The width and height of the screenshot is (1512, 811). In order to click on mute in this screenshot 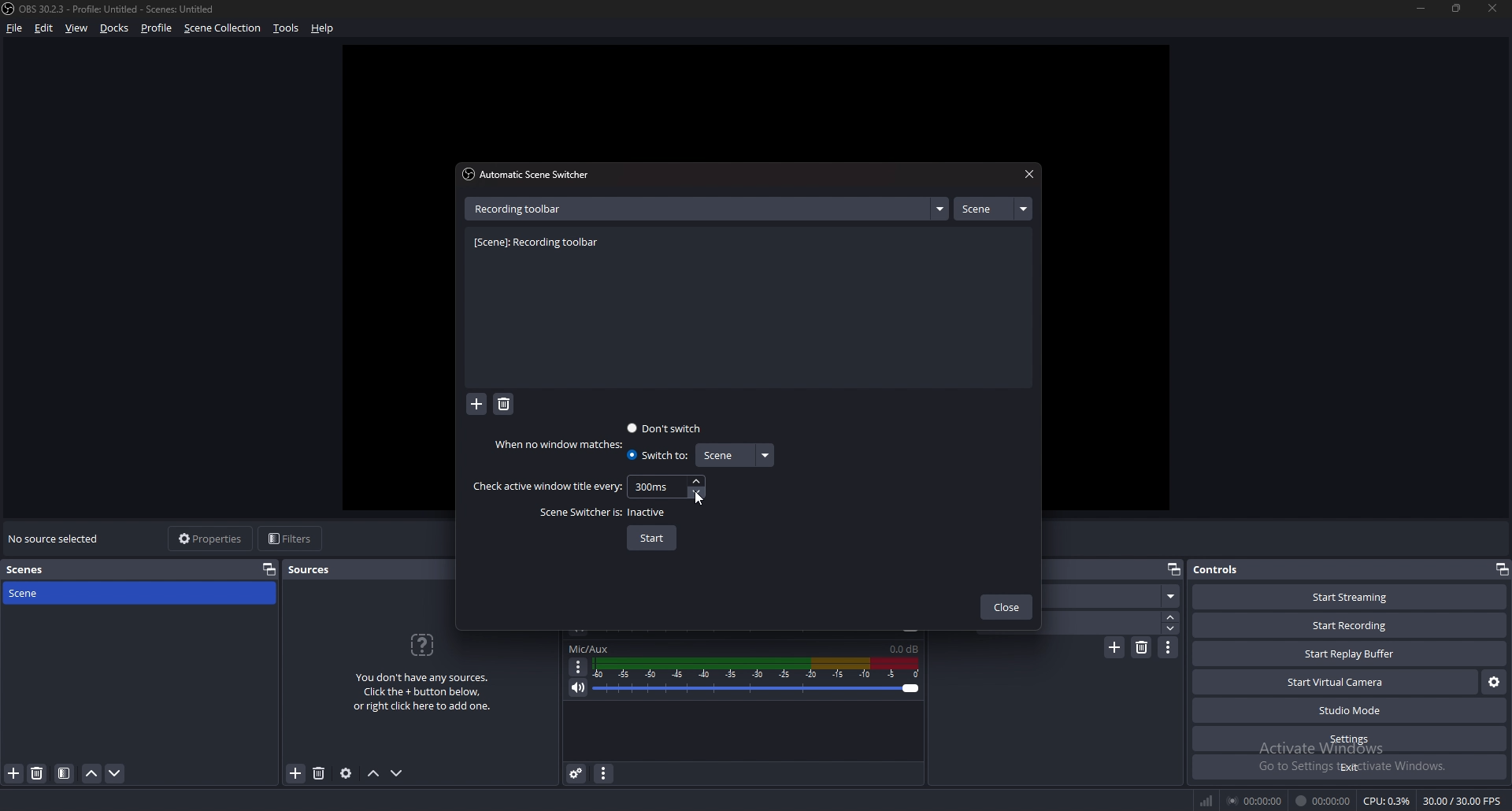, I will do `click(579, 687)`.